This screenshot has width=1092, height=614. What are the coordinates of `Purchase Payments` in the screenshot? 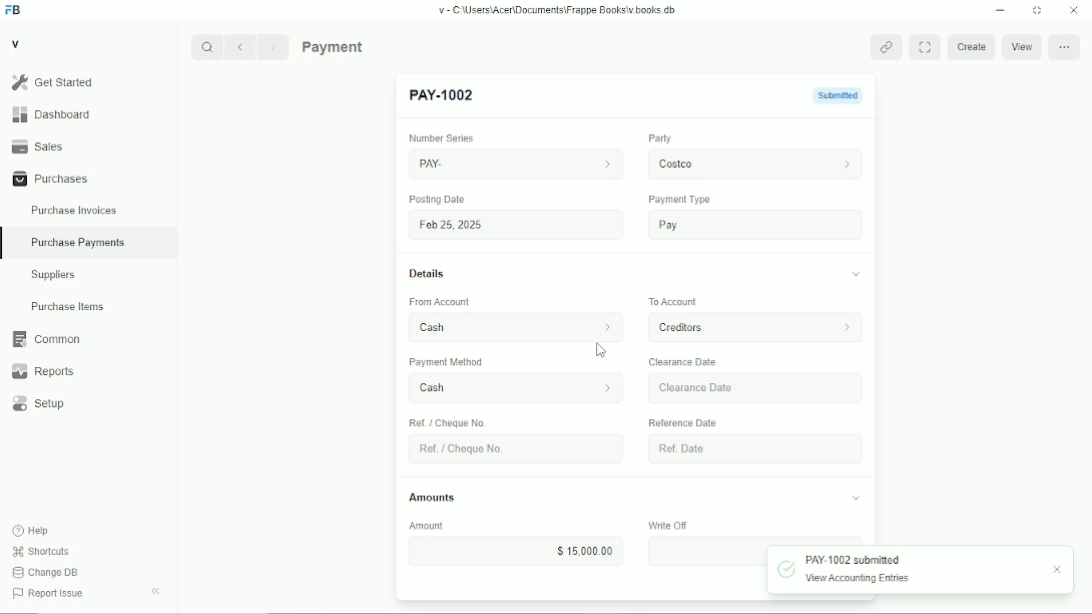 It's located at (372, 46).